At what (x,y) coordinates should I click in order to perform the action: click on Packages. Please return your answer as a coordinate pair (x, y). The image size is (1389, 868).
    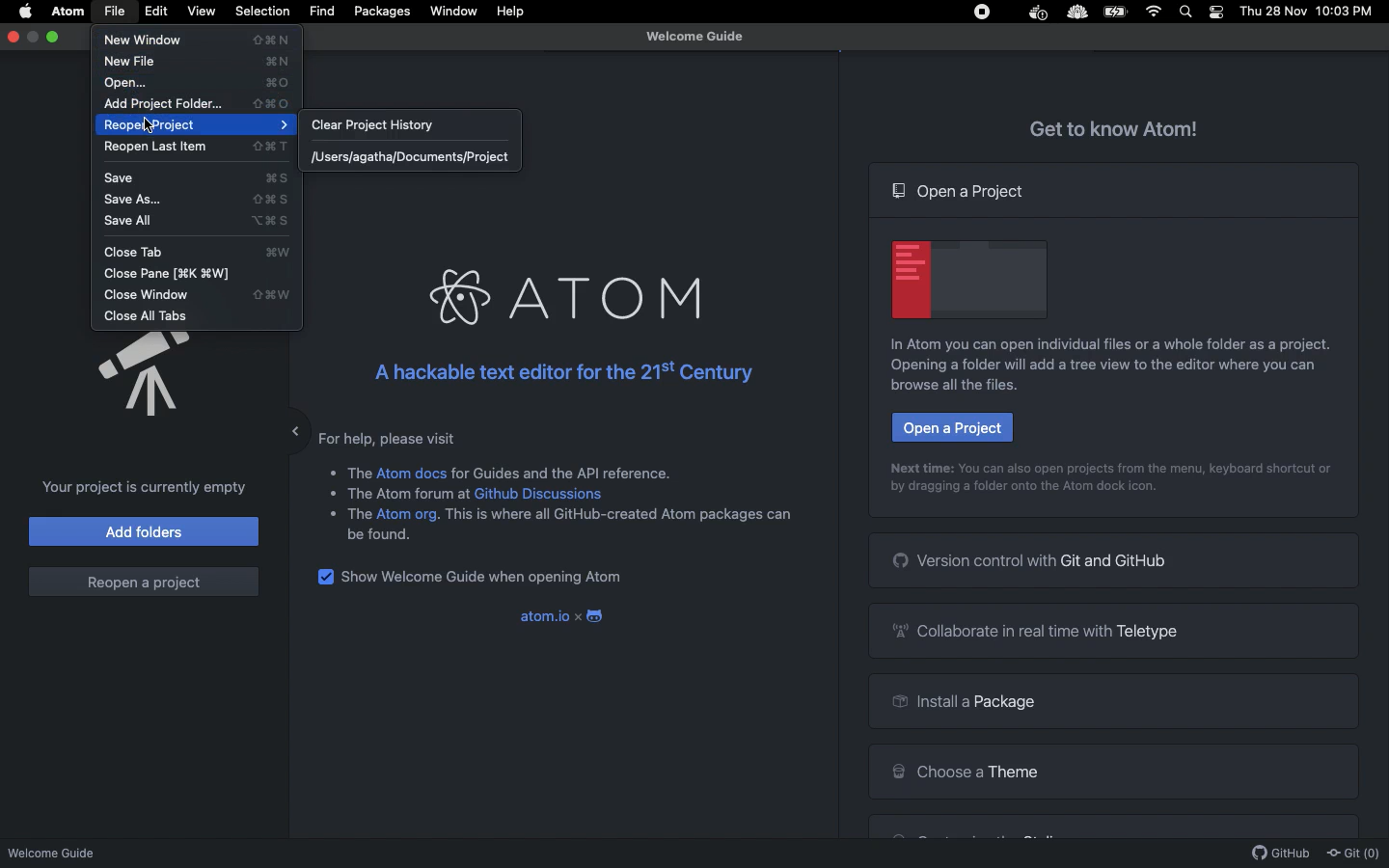
    Looking at the image, I should click on (382, 14).